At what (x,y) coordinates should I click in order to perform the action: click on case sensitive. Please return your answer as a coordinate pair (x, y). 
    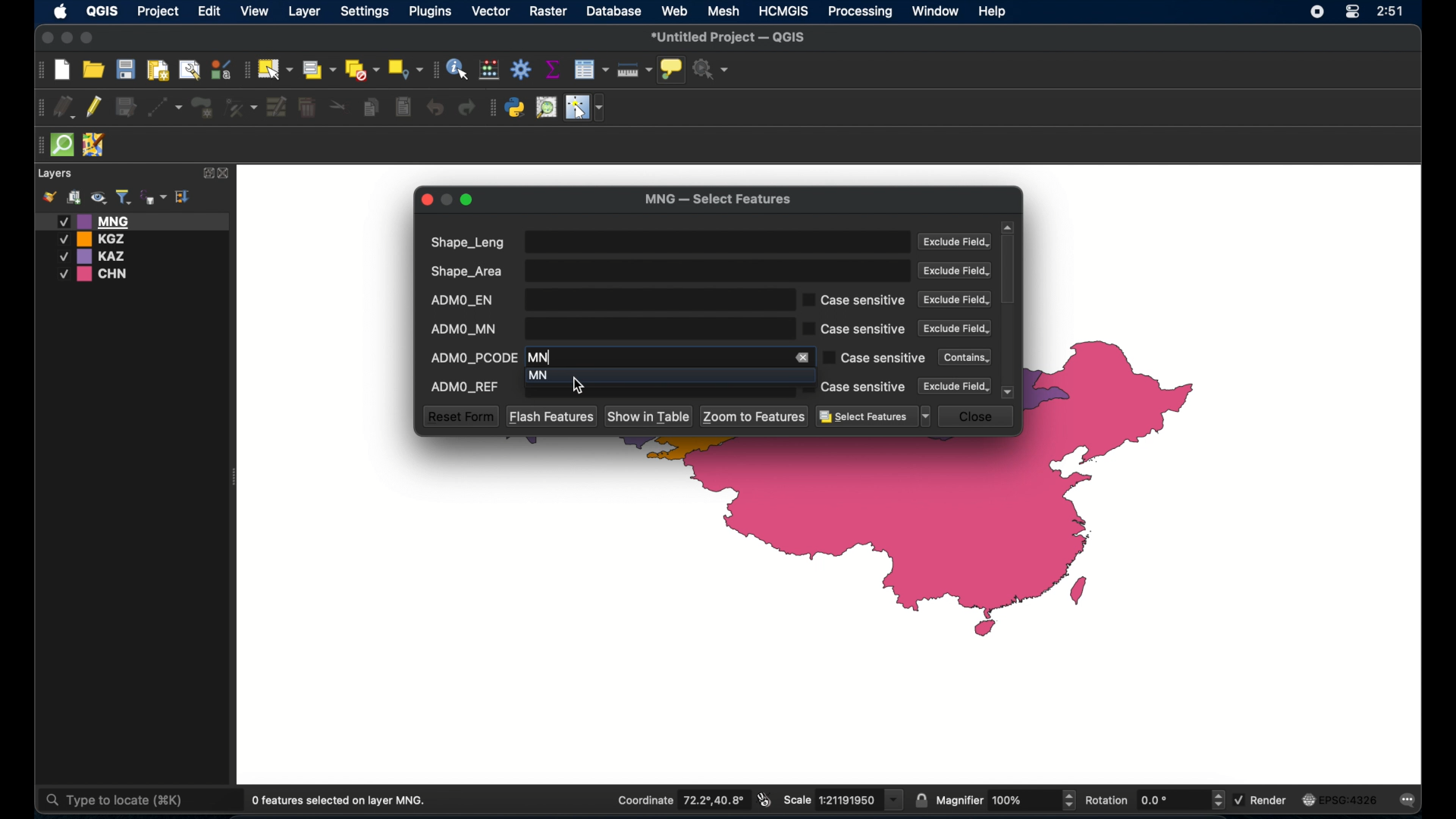
    Looking at the image, I should click on (873, 358).